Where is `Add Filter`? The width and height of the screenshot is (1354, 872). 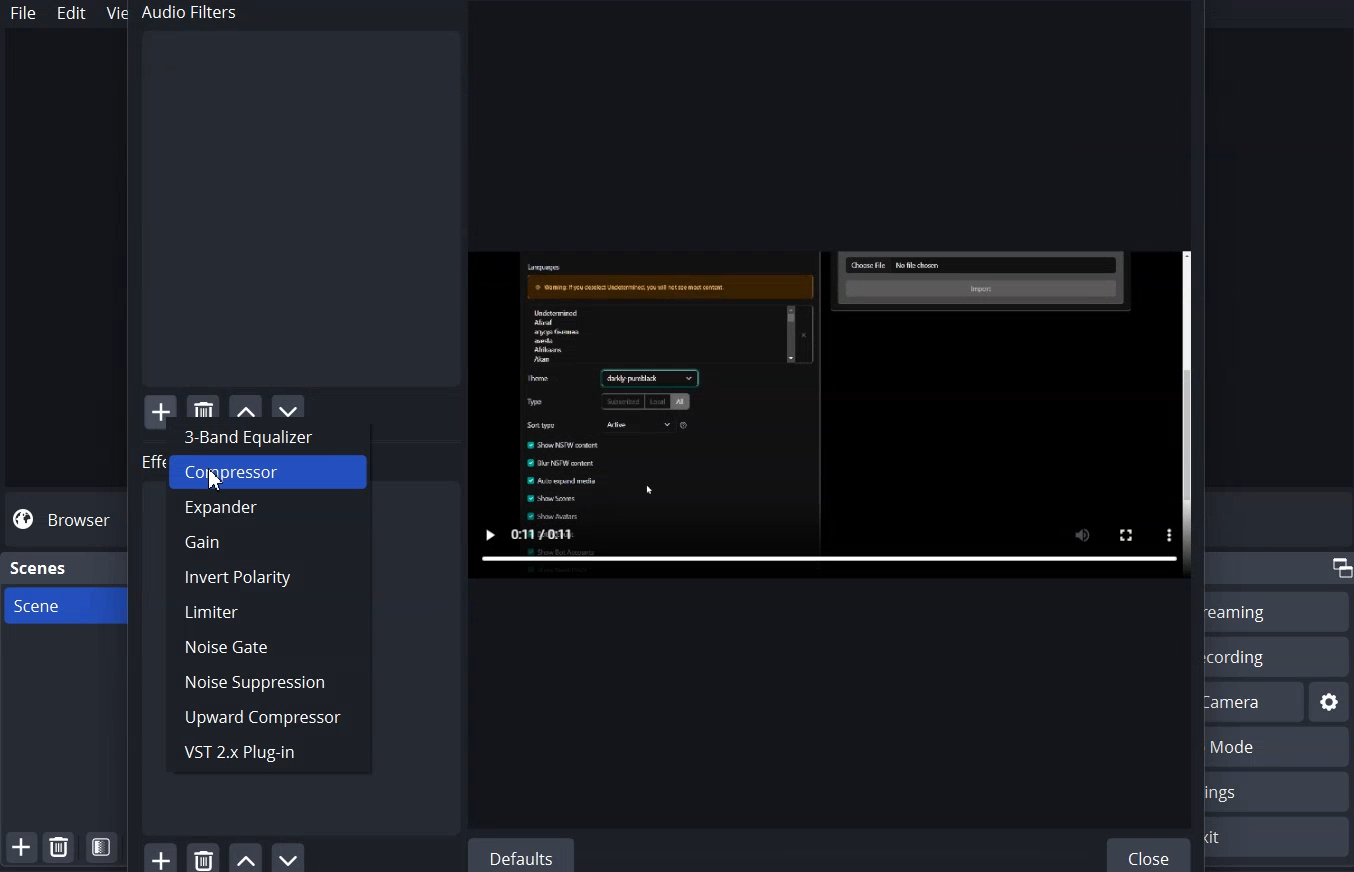 Add Filter is located at coordinates (160, 856).